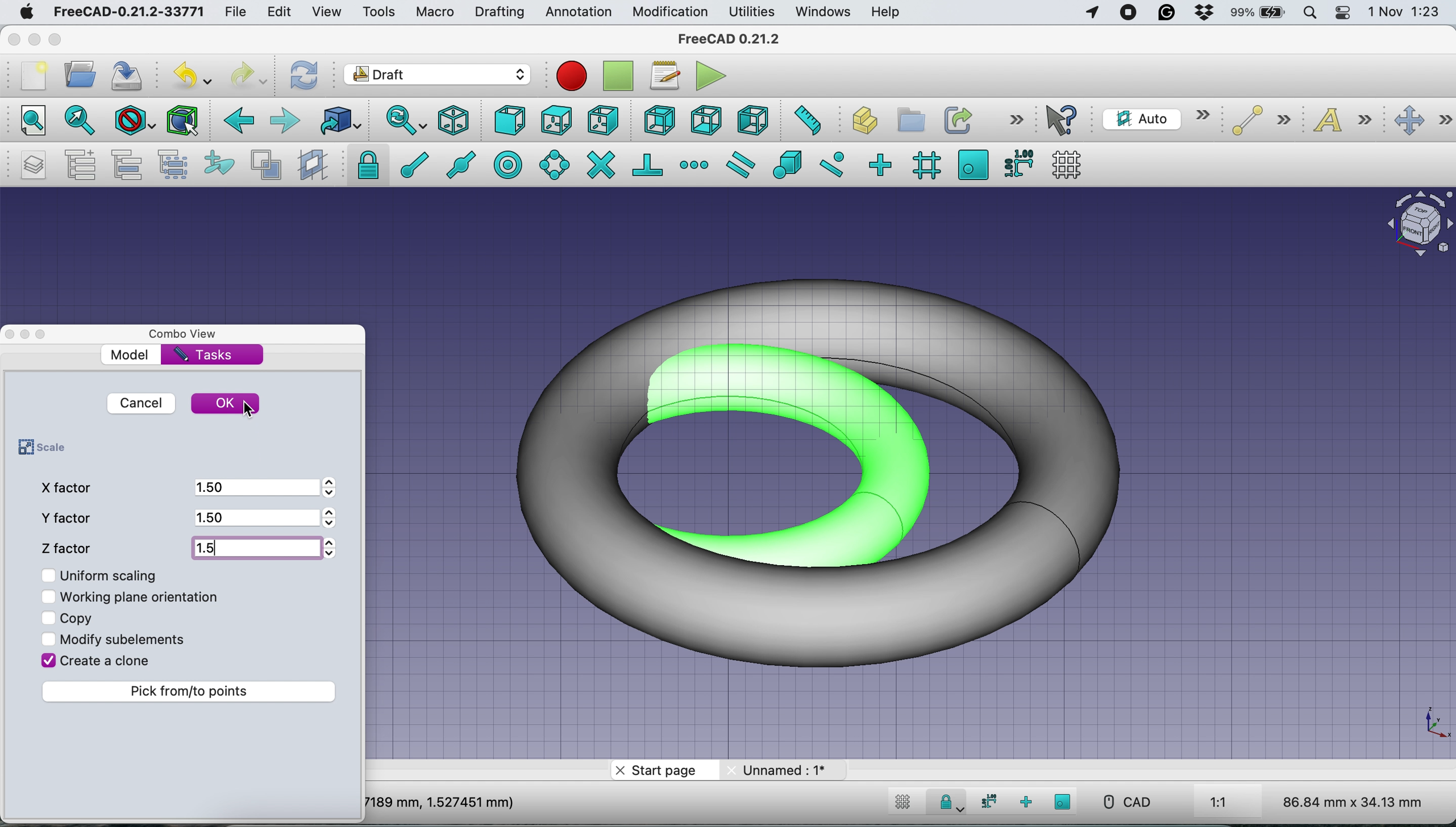  Describe the element at coordinates (240, 12) in the screenshot. I see `file` at that location.